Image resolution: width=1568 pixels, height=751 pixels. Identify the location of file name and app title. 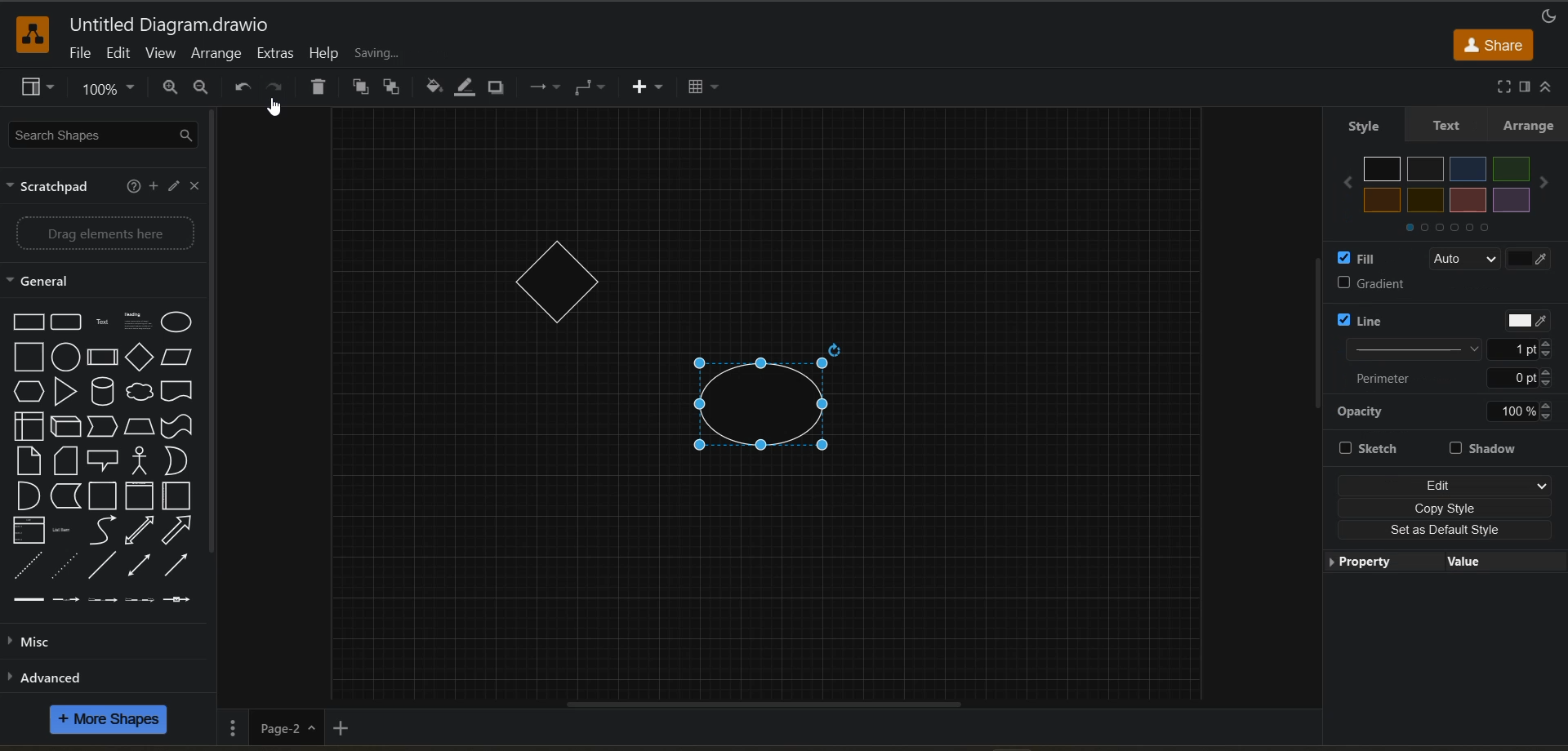
(176, 26).